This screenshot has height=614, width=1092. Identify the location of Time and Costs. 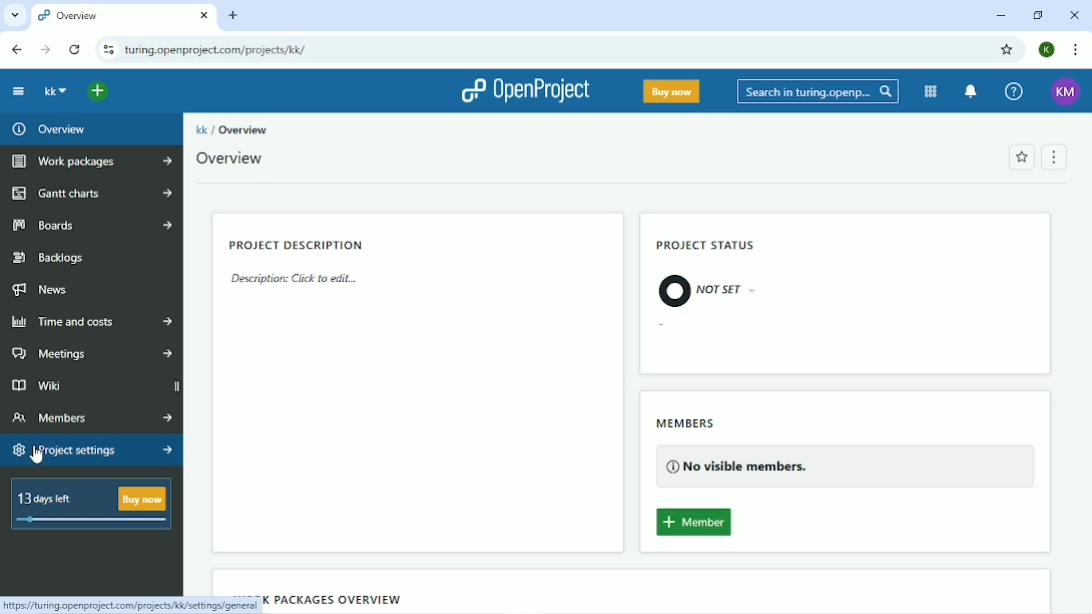
(91, 322).